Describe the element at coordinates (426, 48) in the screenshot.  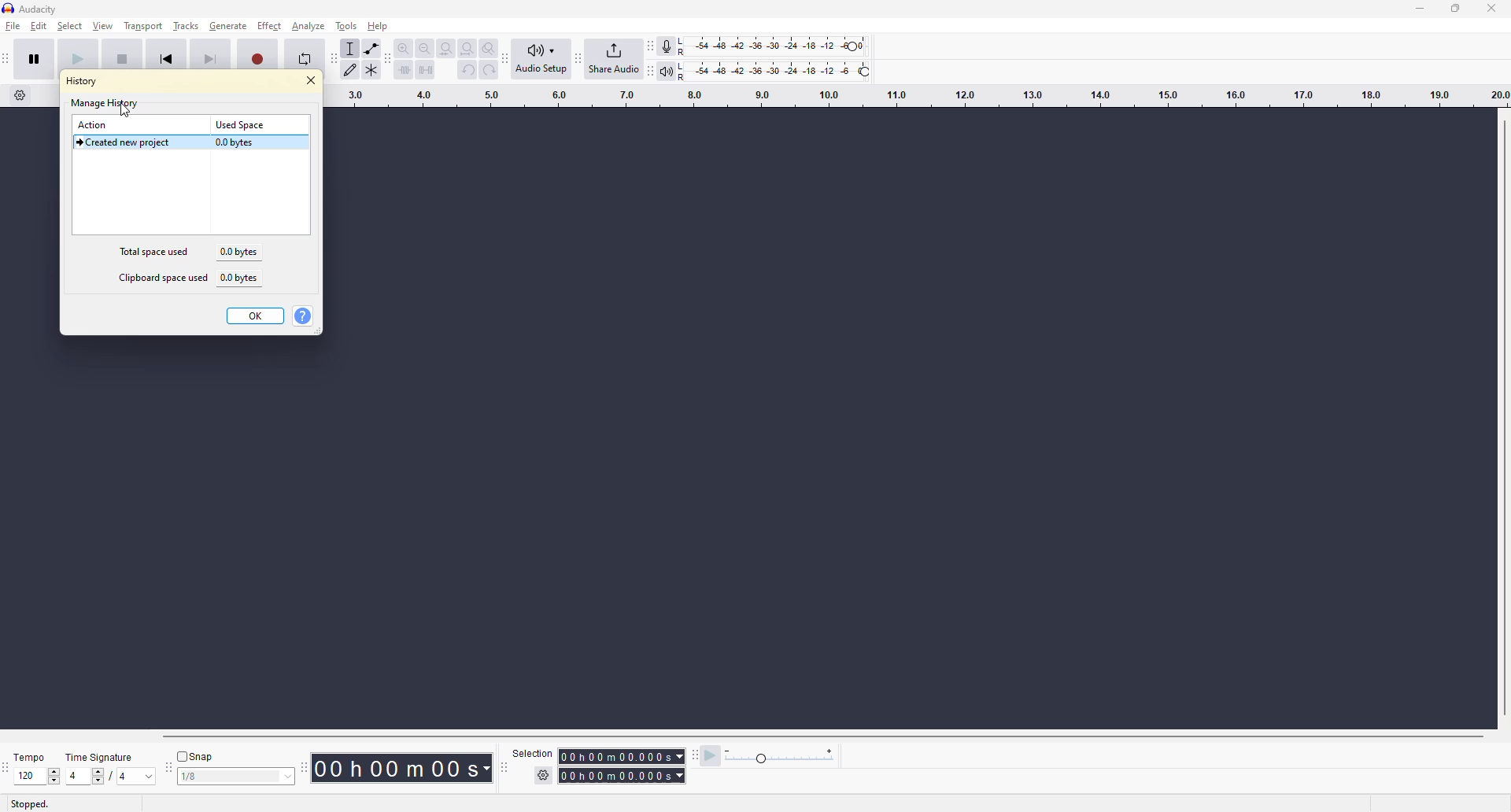
I see `zoom out` at that location.